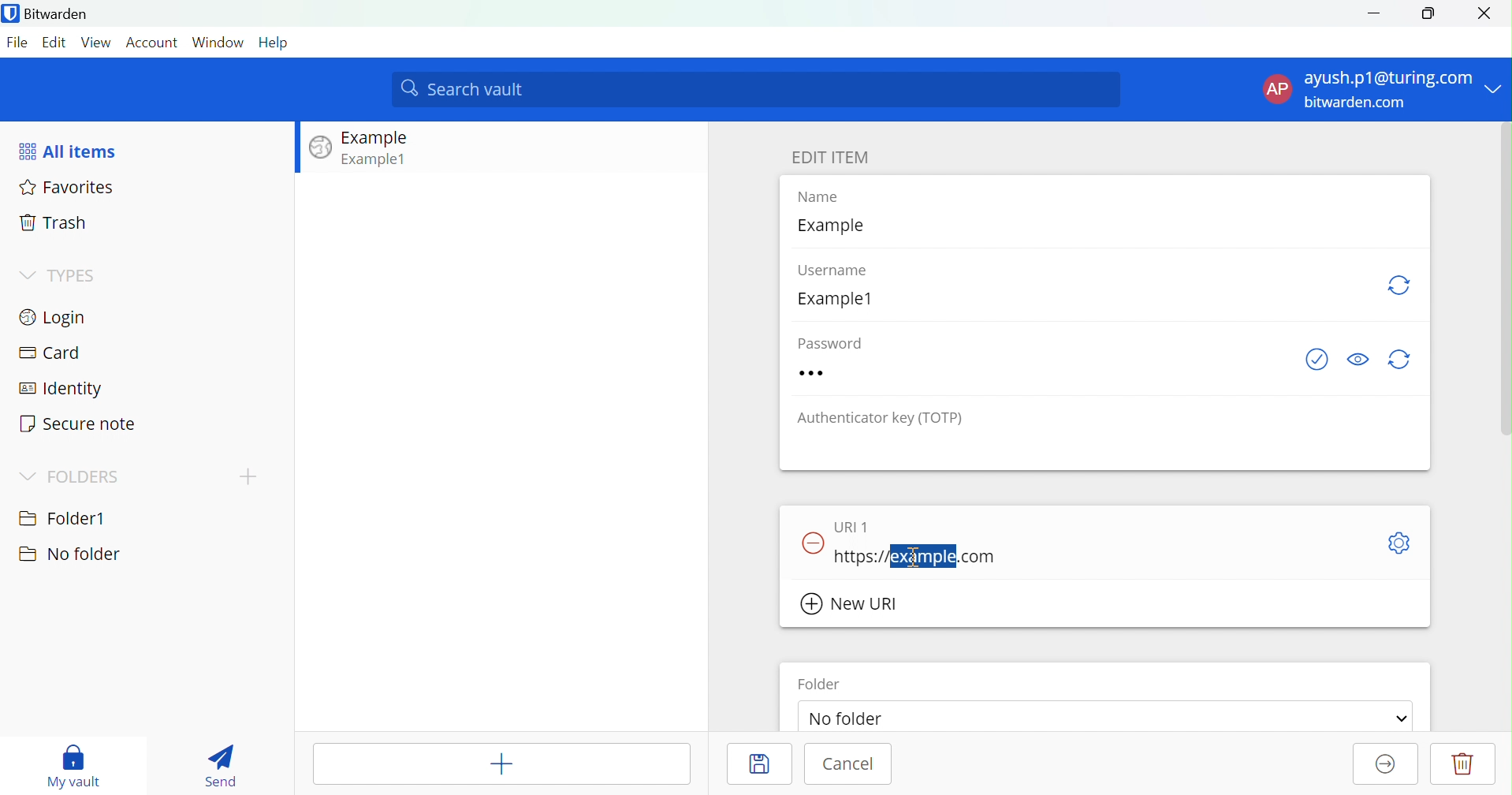 Image resolution: width=1512 pixels, height=795 pixels. What do you see at coordinates (62, 390) in the screenshot?
I see `Identity` at bounding box center [62, 390].